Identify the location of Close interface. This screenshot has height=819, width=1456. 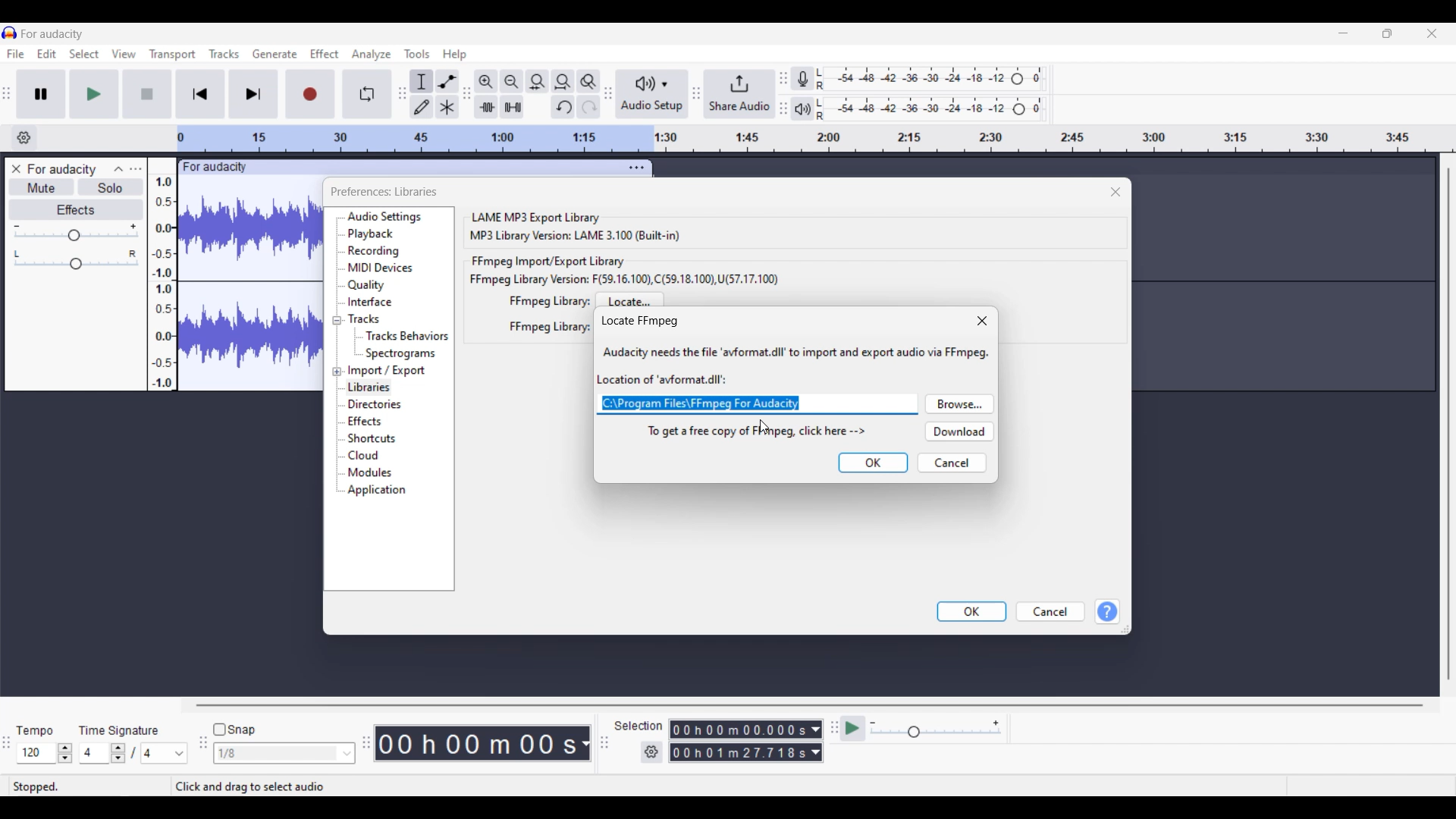
(1432, 33).